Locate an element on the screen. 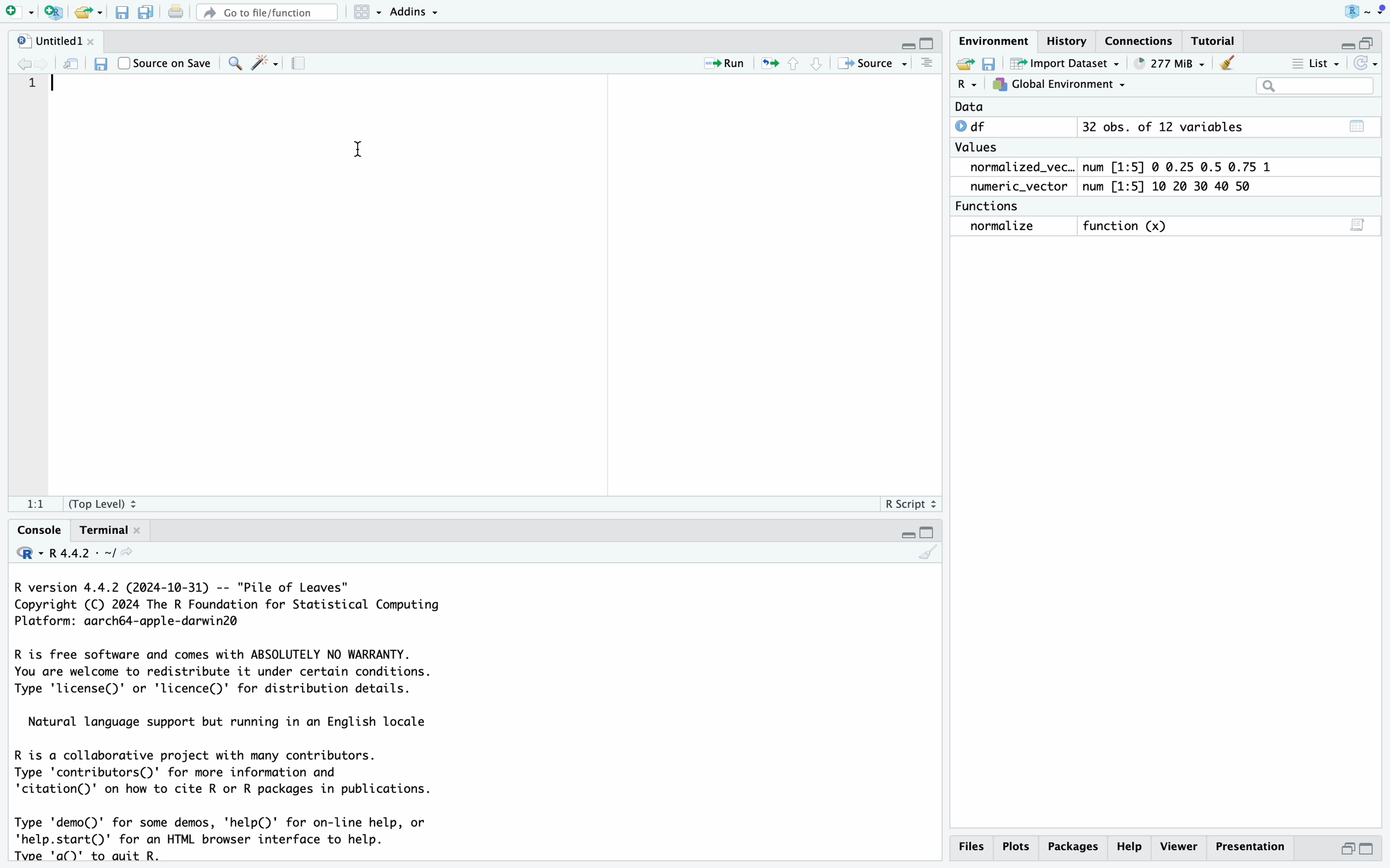 Image resolution: width=1390 pixels, height=868 pixels. Data is located at coordinates (969, 107).